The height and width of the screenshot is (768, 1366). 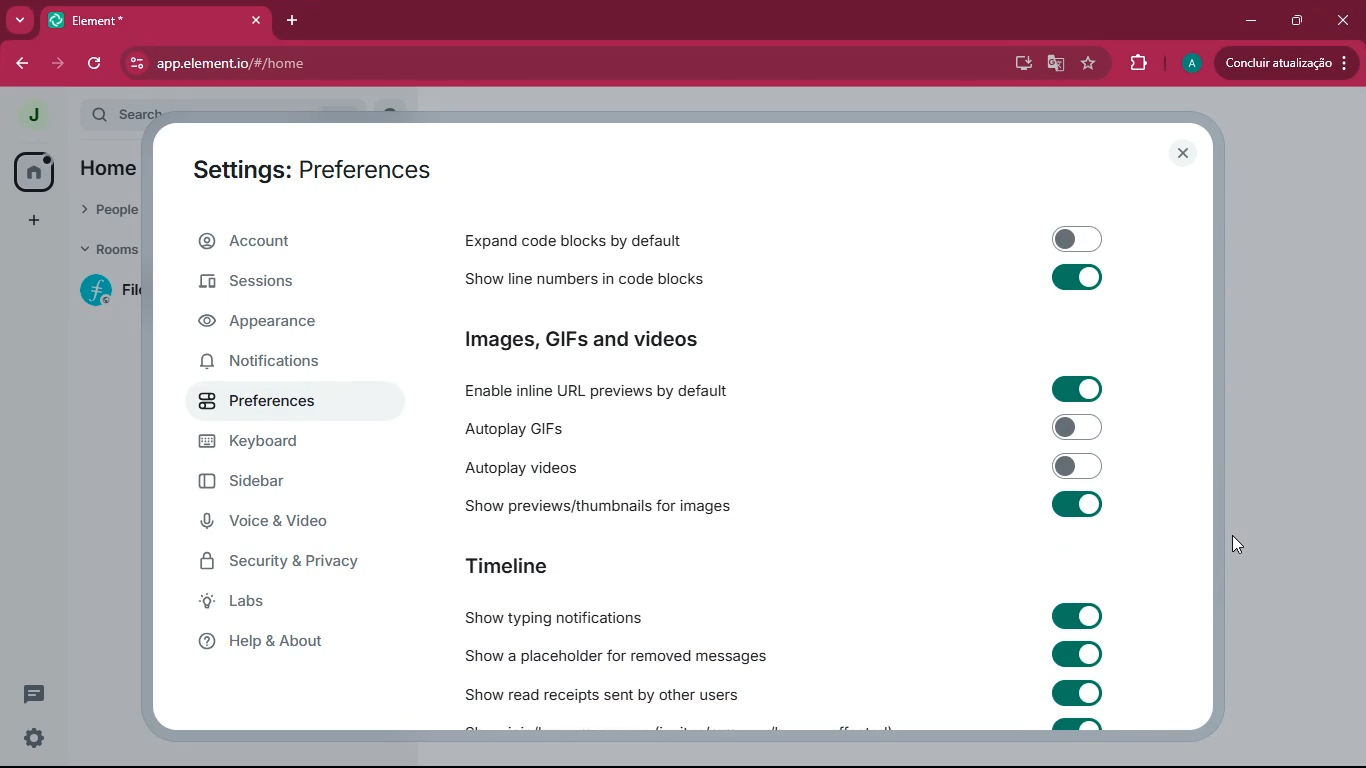 I want to click on profile, so click(x=1188, y=64).